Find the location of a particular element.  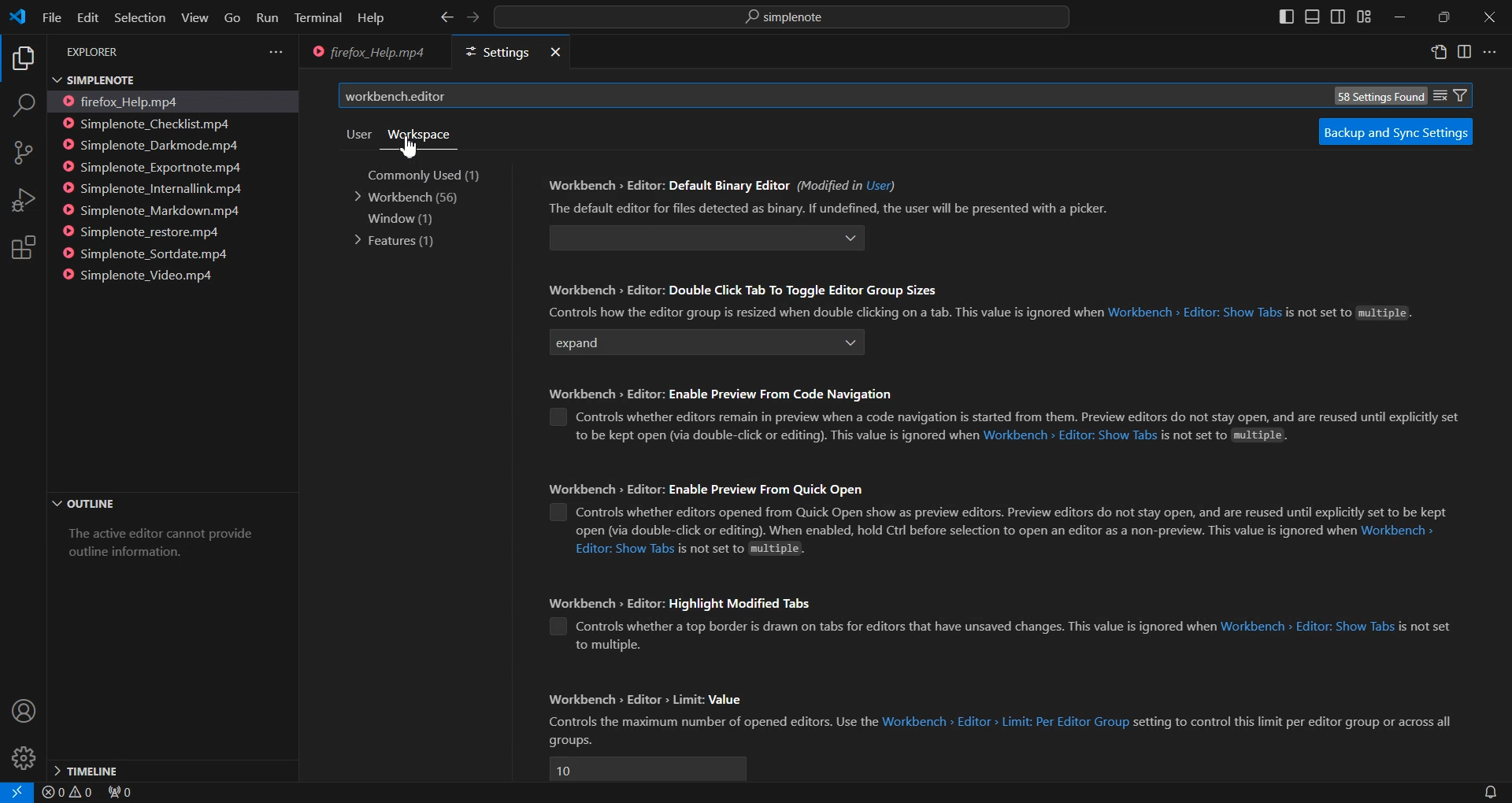

Drop down box is located at coordinates (850, 344).